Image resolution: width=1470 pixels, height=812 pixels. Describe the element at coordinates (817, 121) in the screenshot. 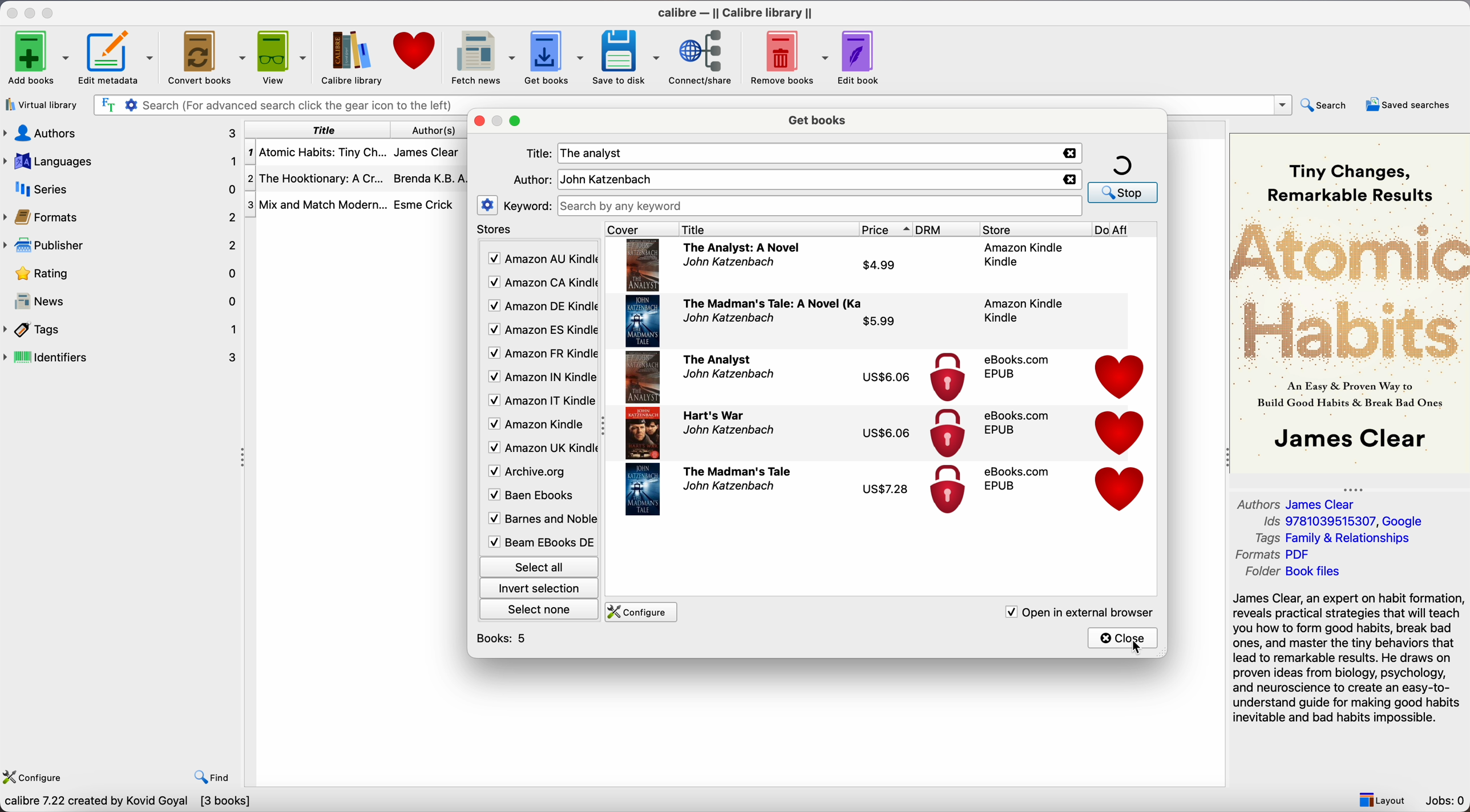

I see `get books` at that location.